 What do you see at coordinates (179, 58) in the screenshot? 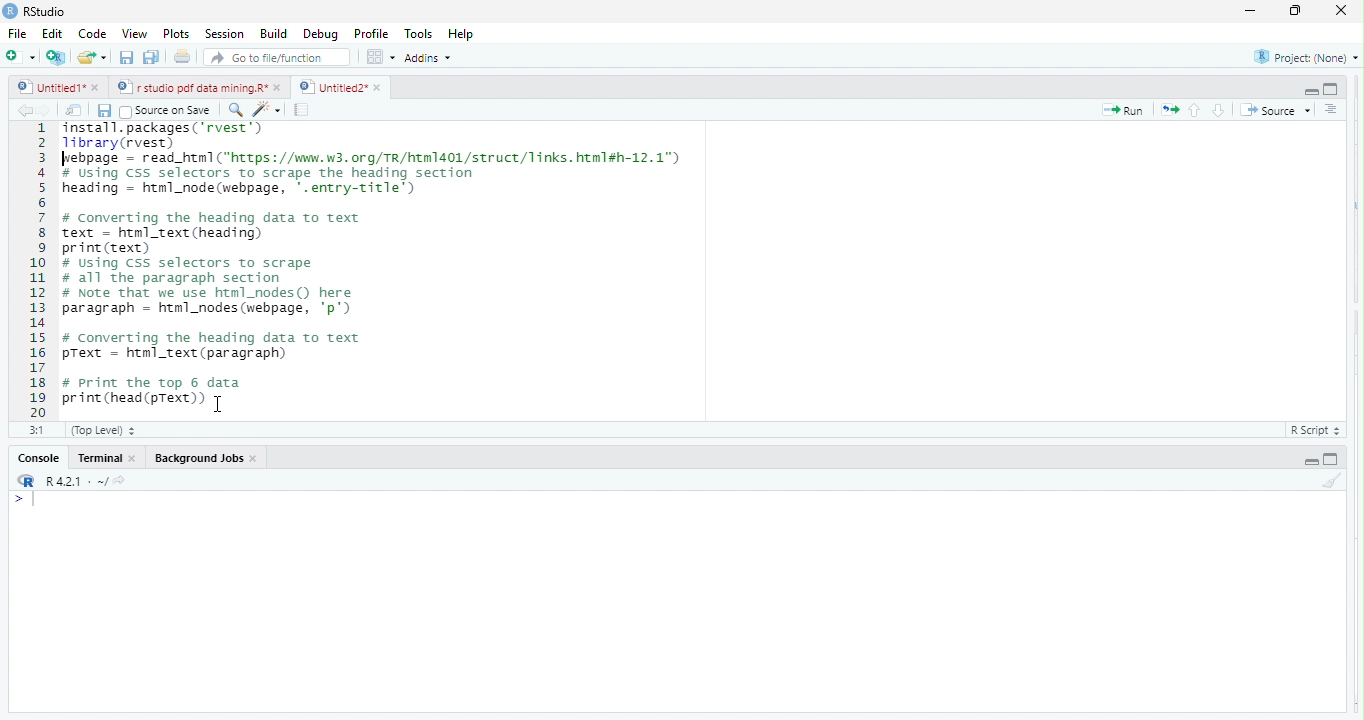
I see `print the current file` at bounding box center [179, 58].